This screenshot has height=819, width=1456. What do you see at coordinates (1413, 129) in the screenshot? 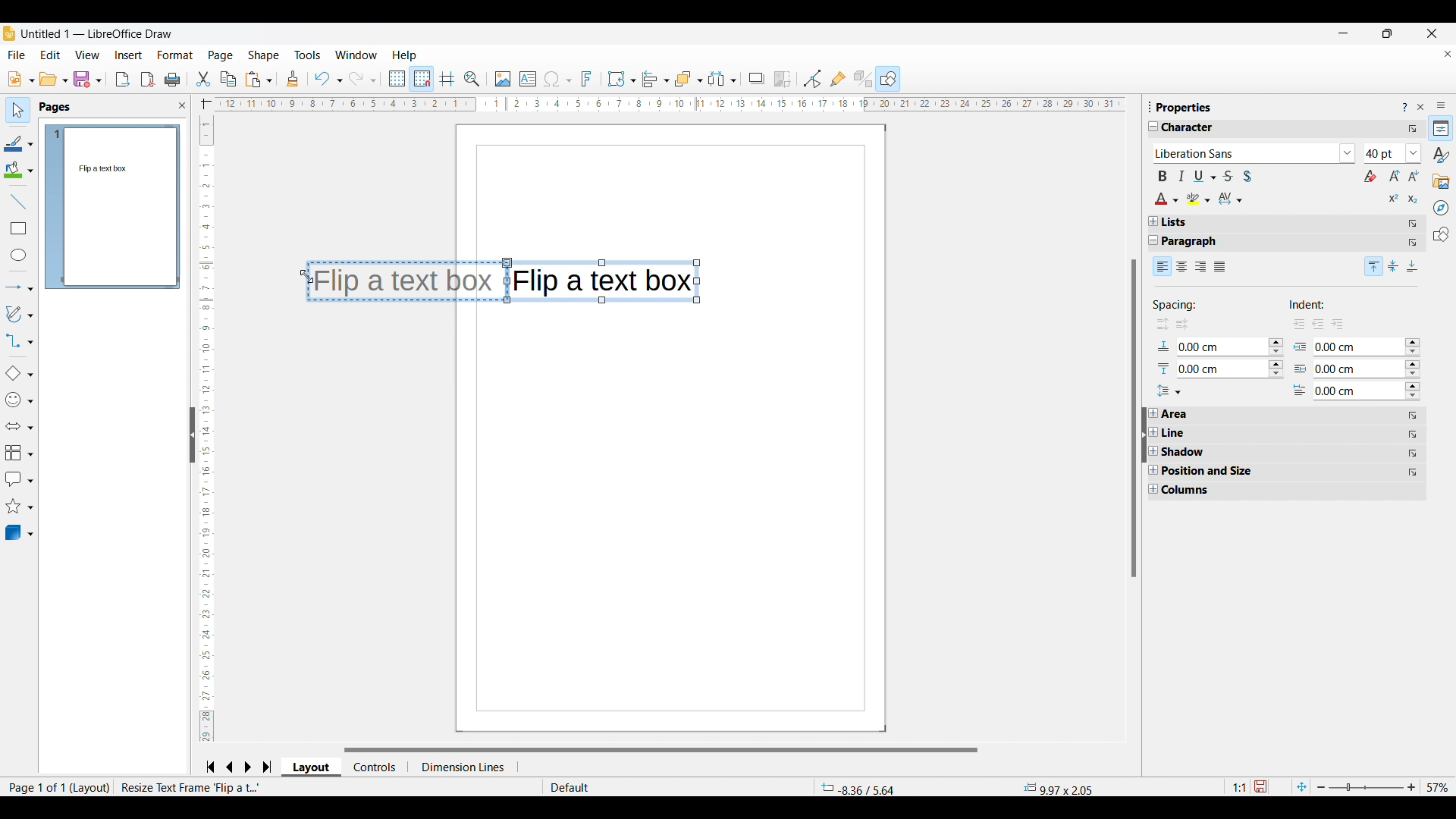
I see `More options` at bounding box center [1413, 129].